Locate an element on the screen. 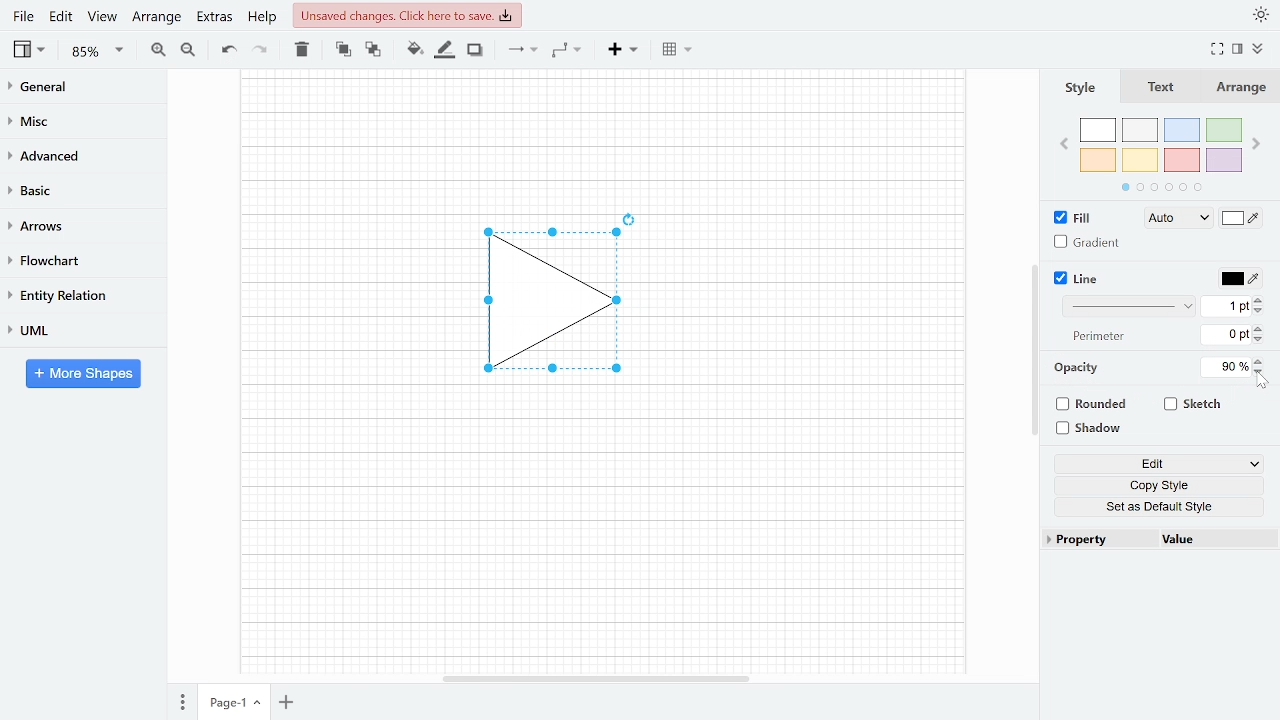 The height and width of the screenshot is (720, 1280). Gradient is located at coordinates (1088, 242).